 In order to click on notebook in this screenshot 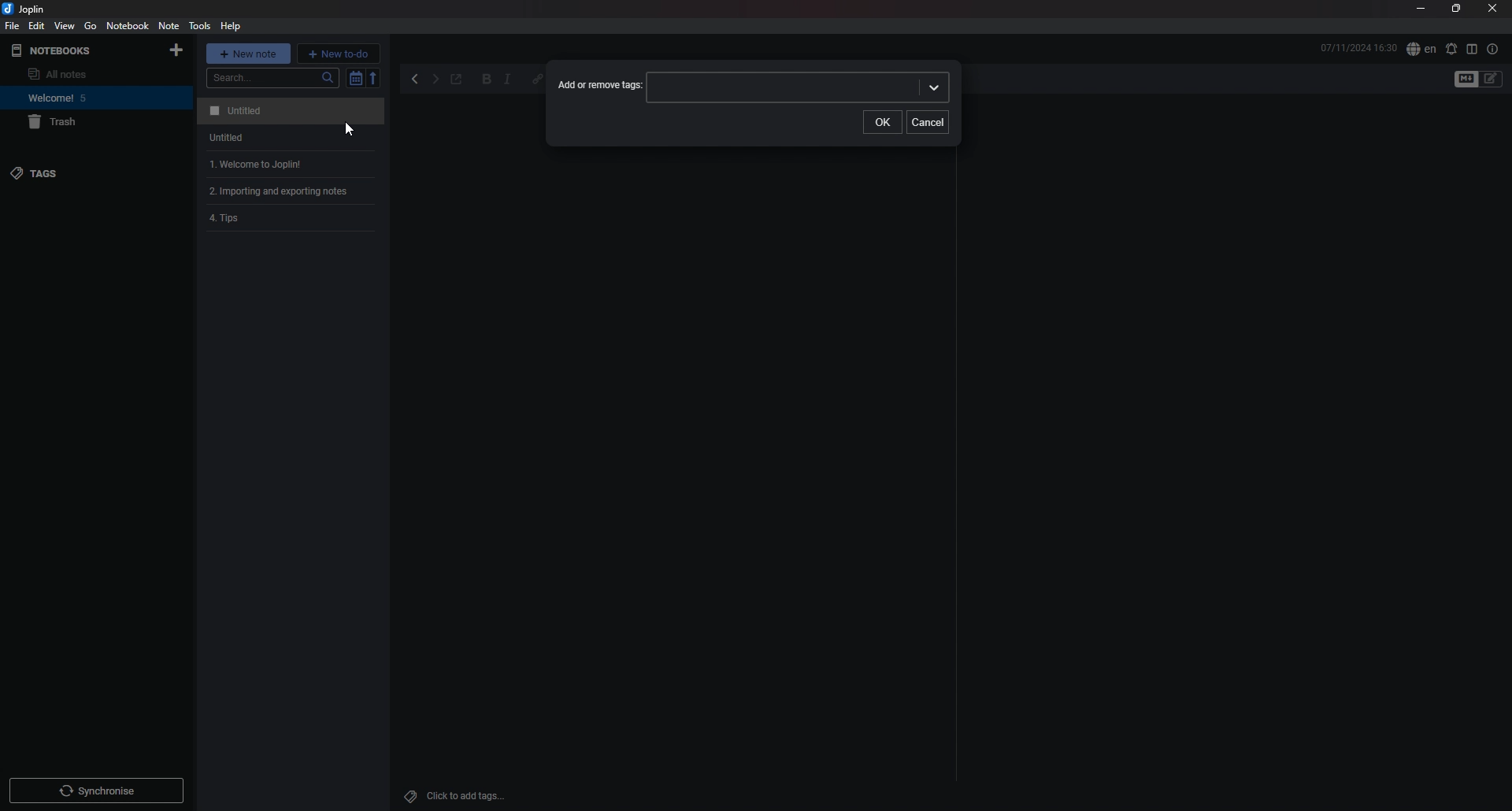, I will do `click(80, 98)`.